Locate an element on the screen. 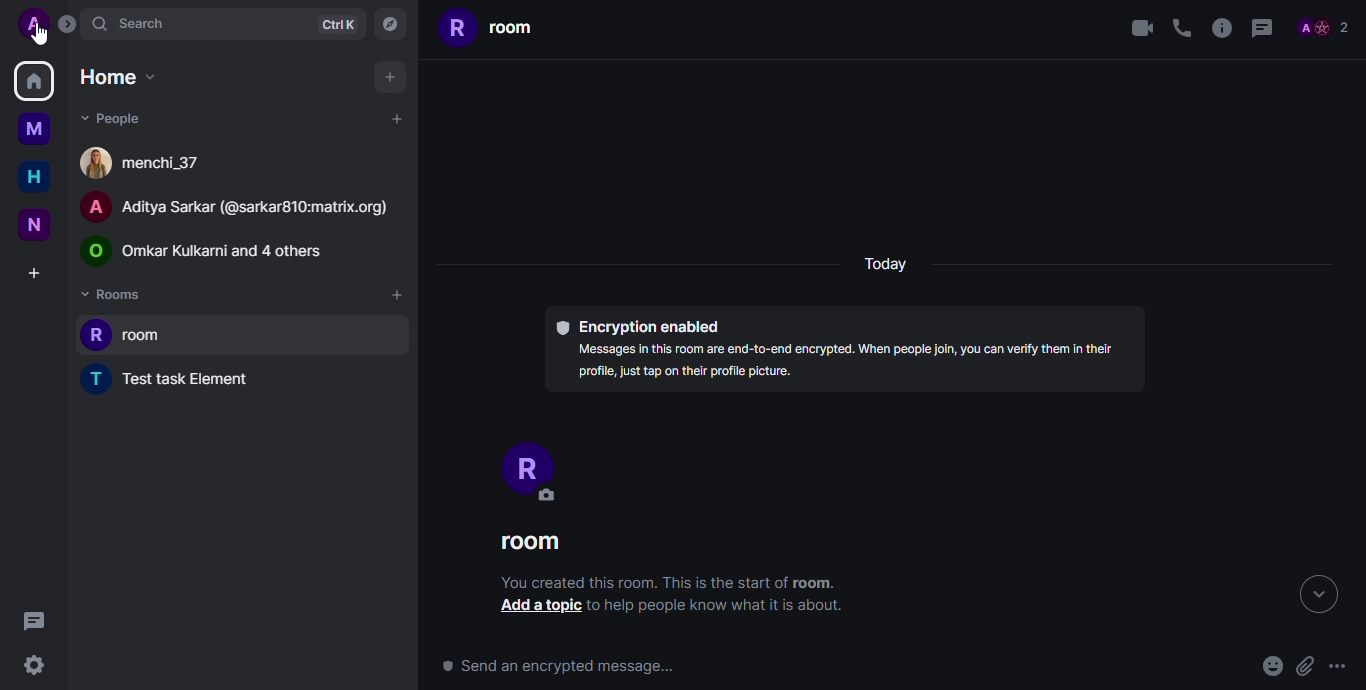 The width and height of the screenshot is (1366, 690). expand is located at coordinates (67, 24).